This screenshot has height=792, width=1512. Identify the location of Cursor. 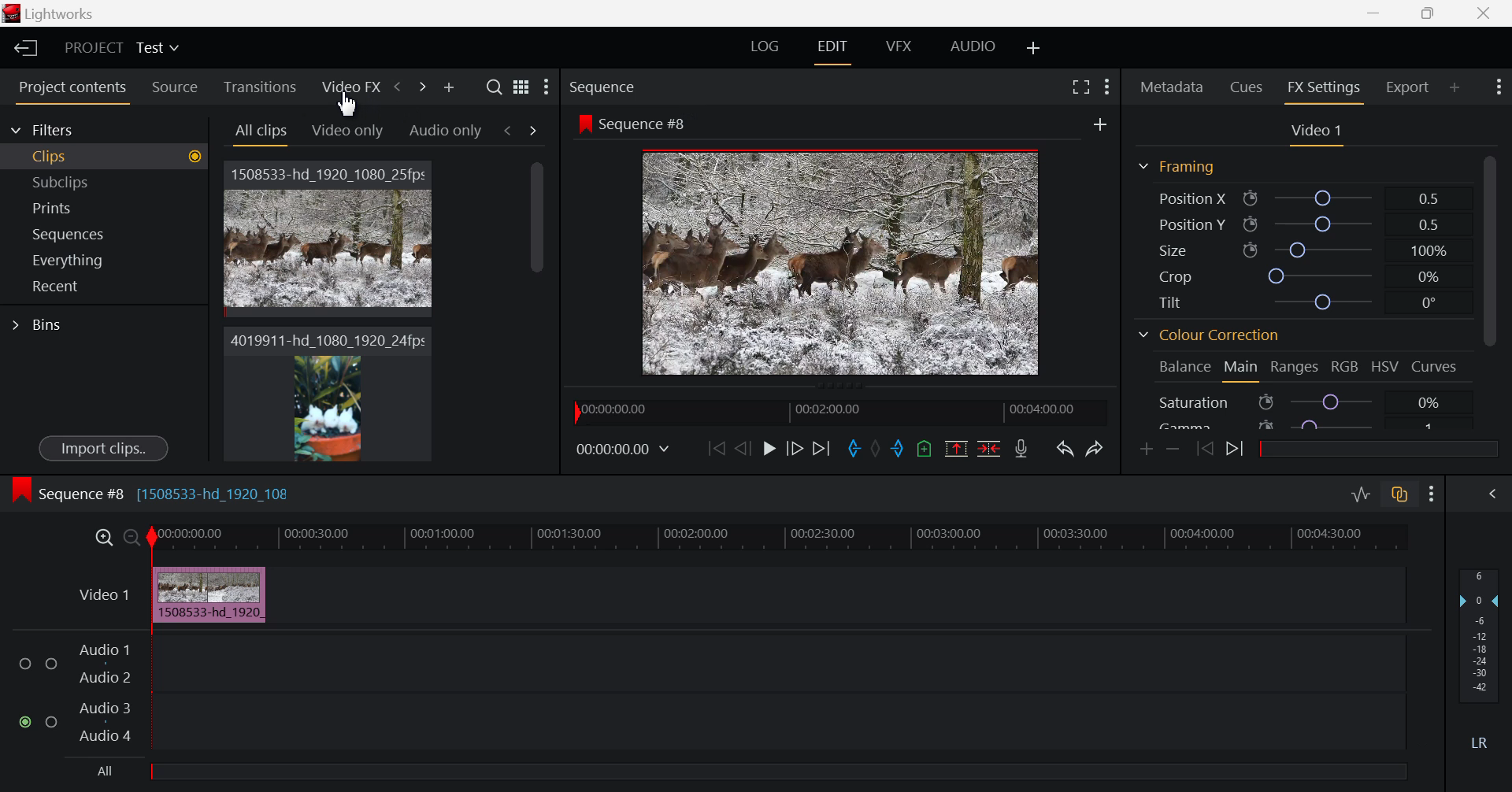
(350, 109).